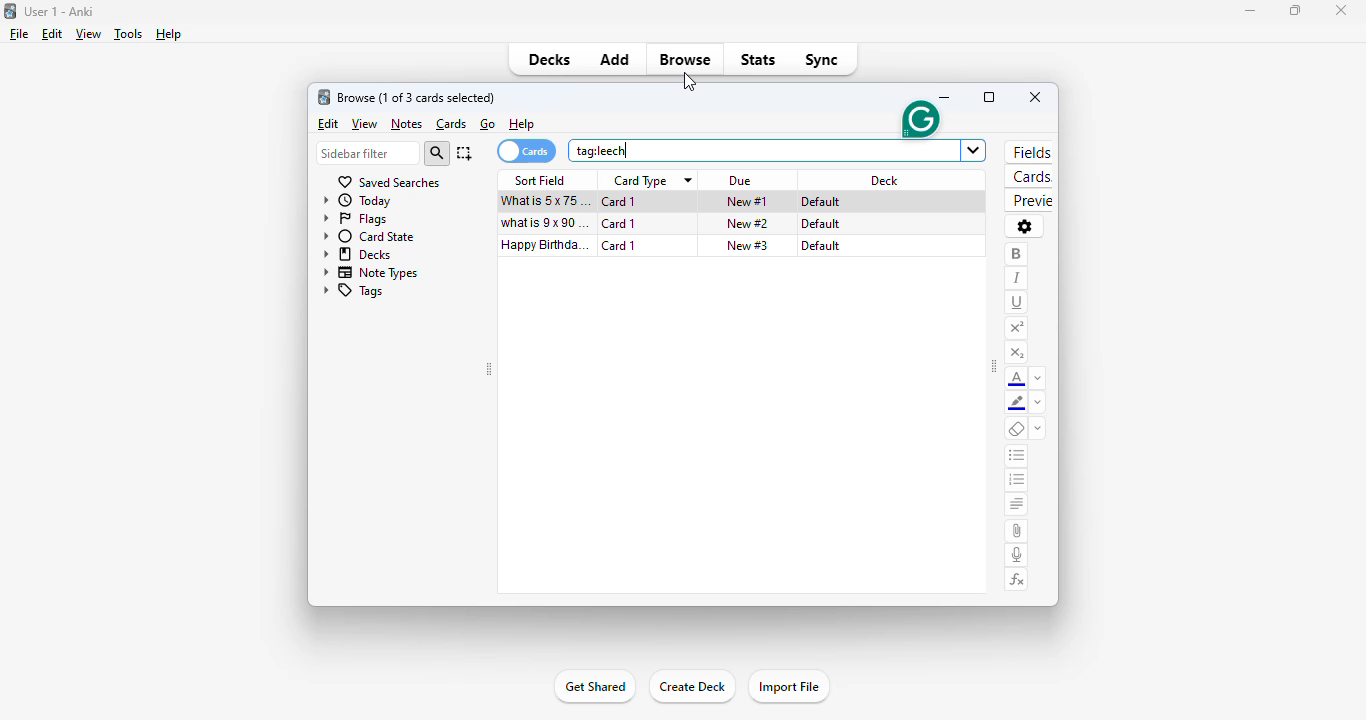  Describe the element at coordinates (369, 153) in the screenshot. I see `sidebar filter` at that location.